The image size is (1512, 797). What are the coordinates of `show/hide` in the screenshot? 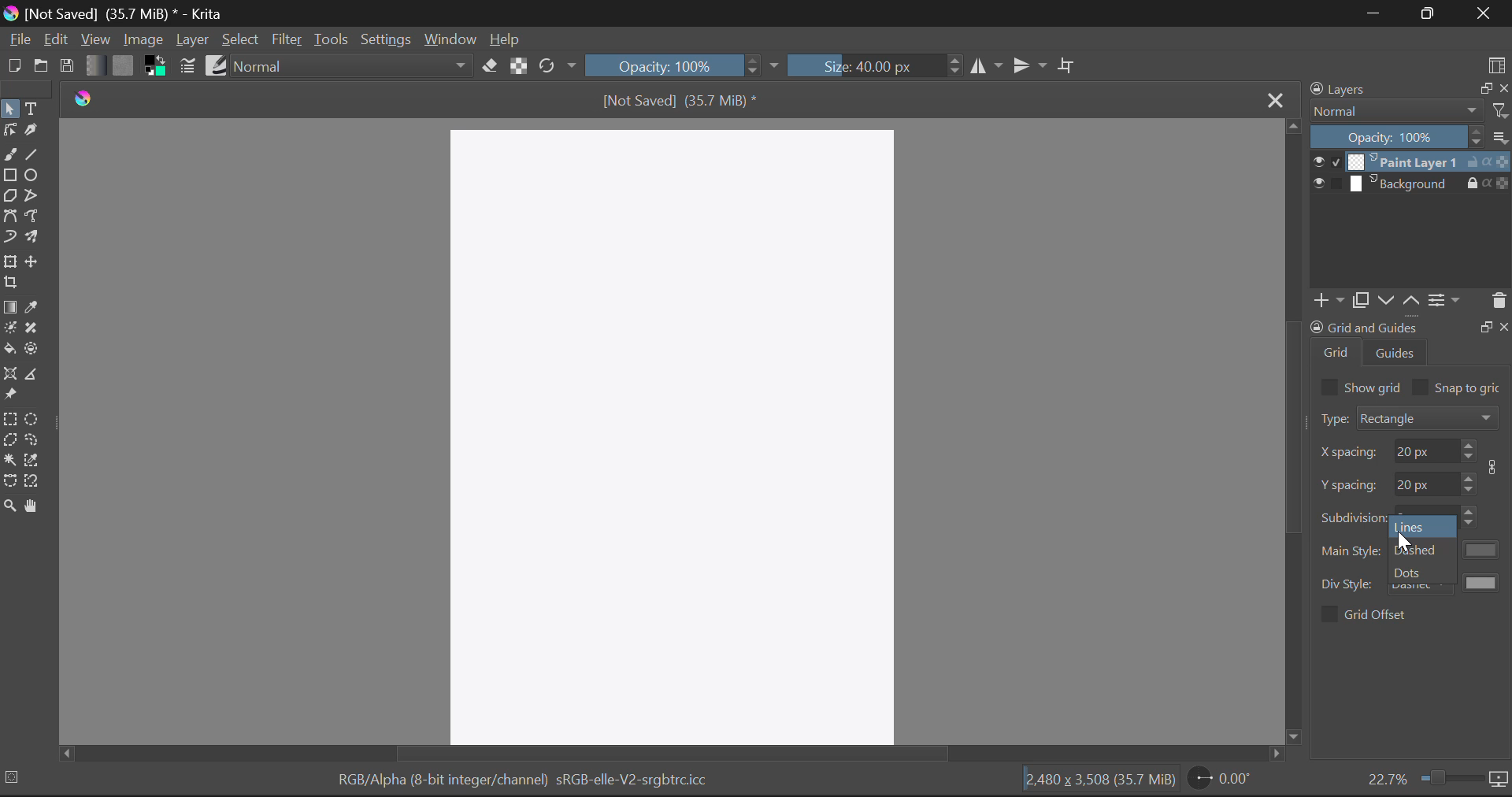 It's located at (1326, 183).